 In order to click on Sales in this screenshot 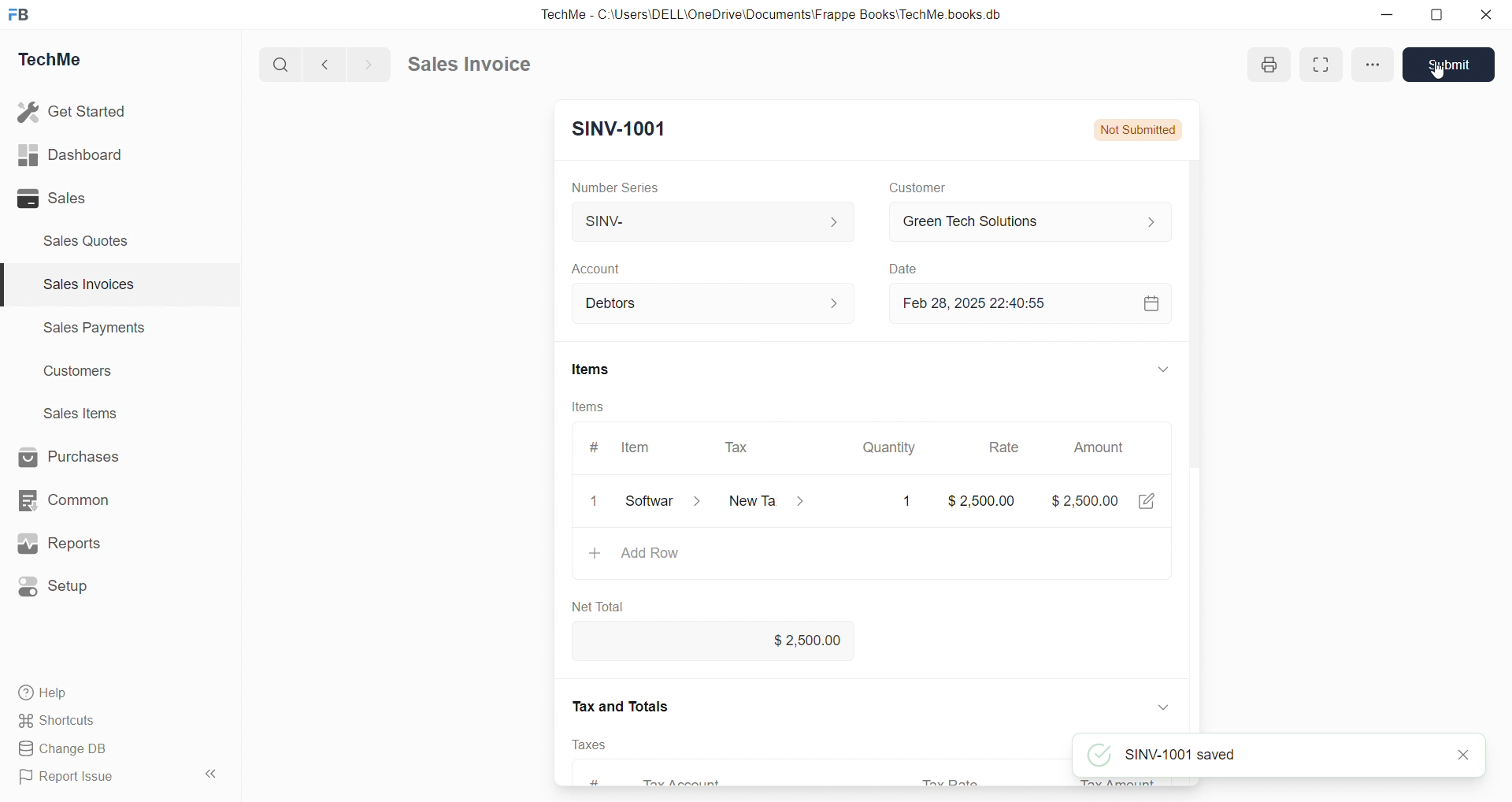, I will do `click(52, 198)`.